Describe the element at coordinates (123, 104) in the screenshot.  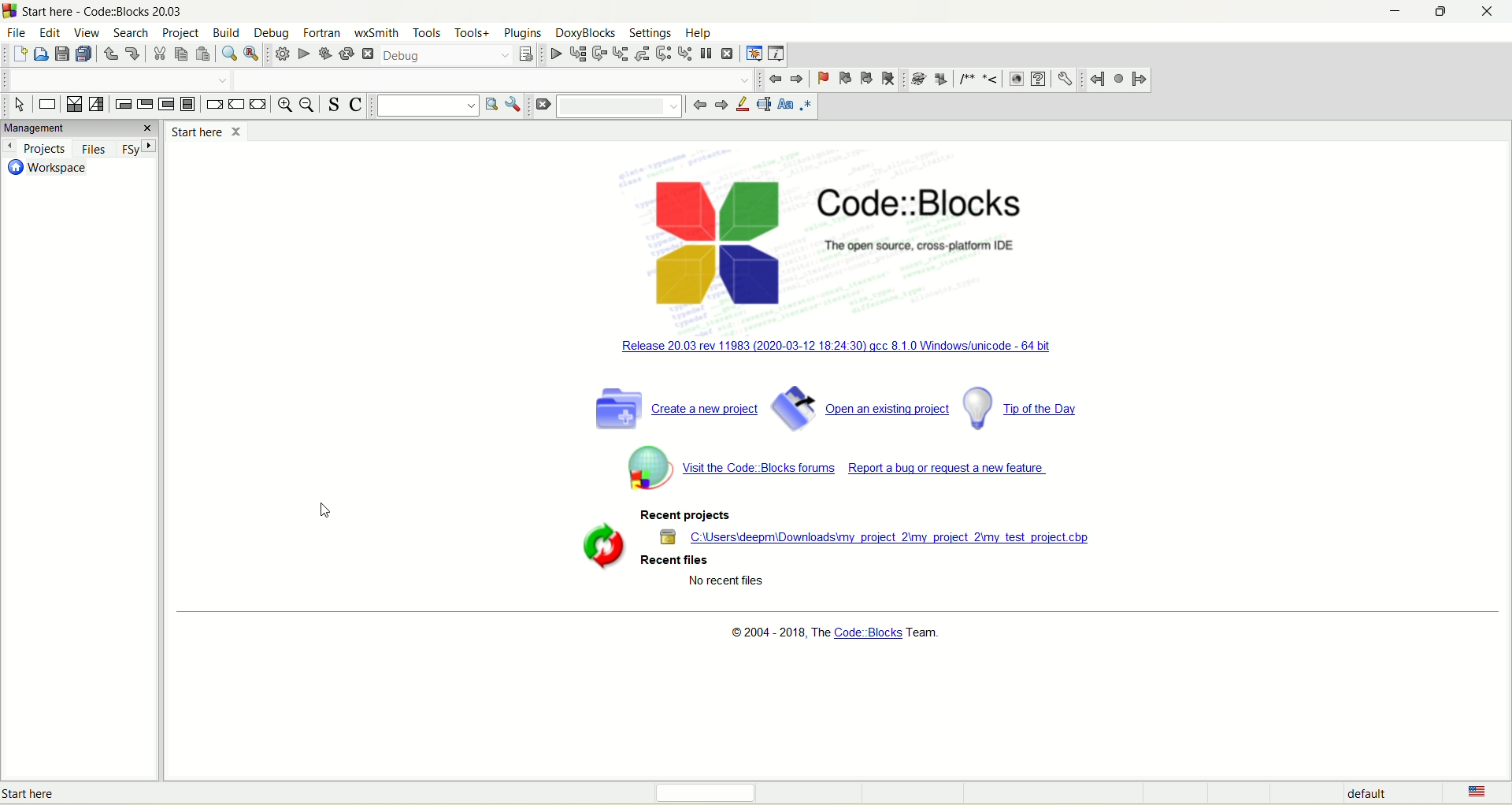
I see `entry condition loop` at that location.